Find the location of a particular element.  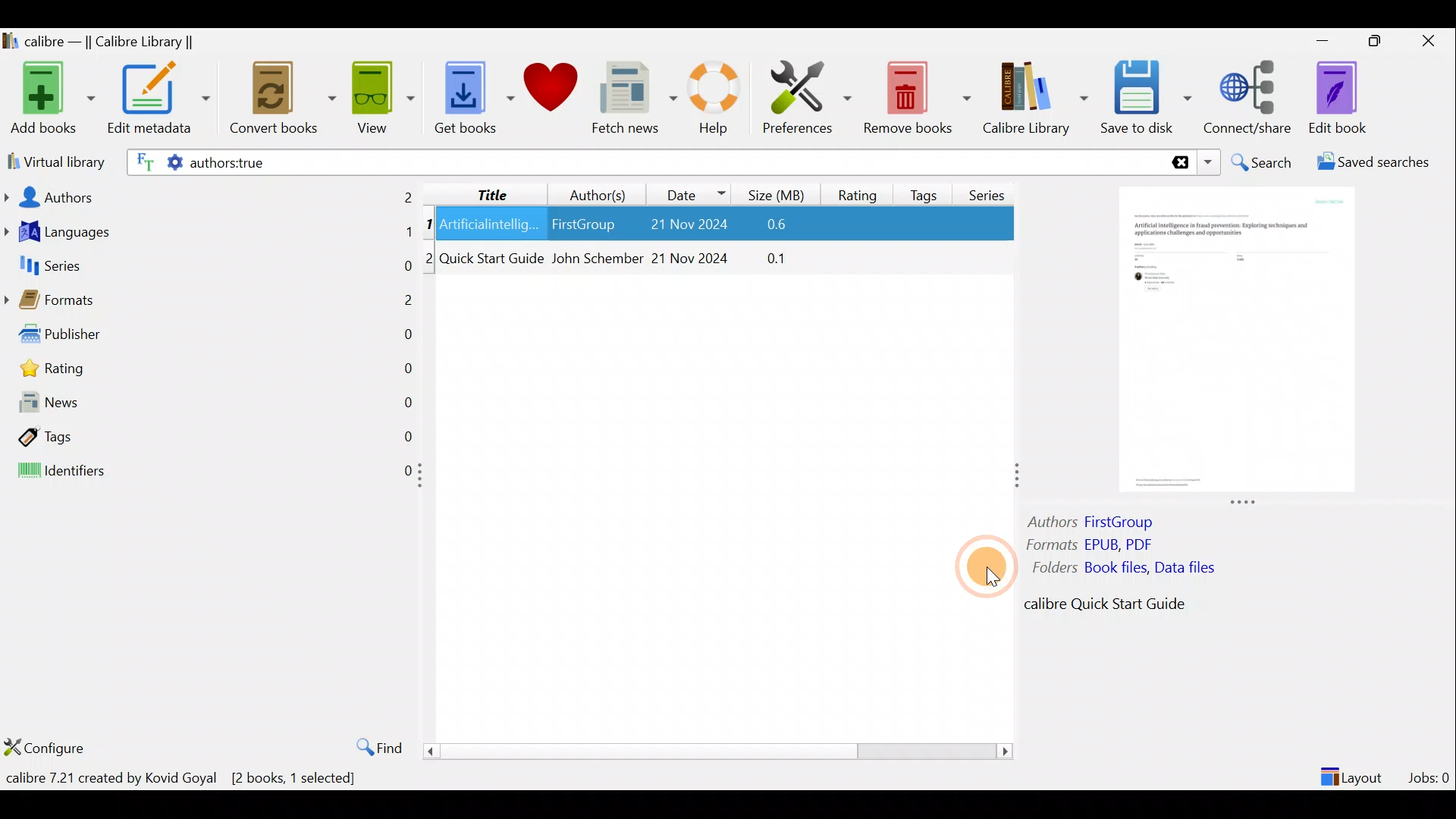

Calibre library is located at coordinates (1034, 95).